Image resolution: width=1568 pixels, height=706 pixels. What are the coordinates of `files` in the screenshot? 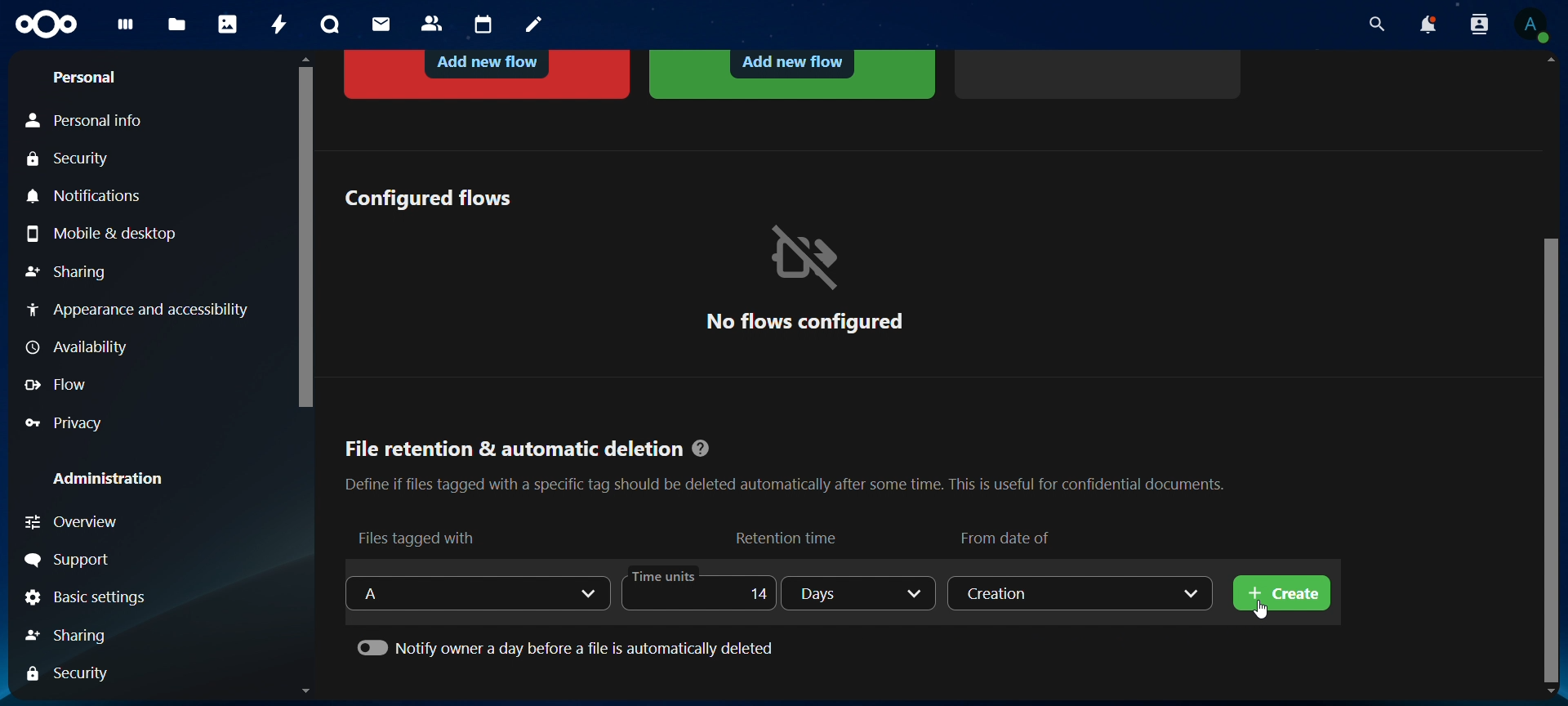 It's located at (177, 26).